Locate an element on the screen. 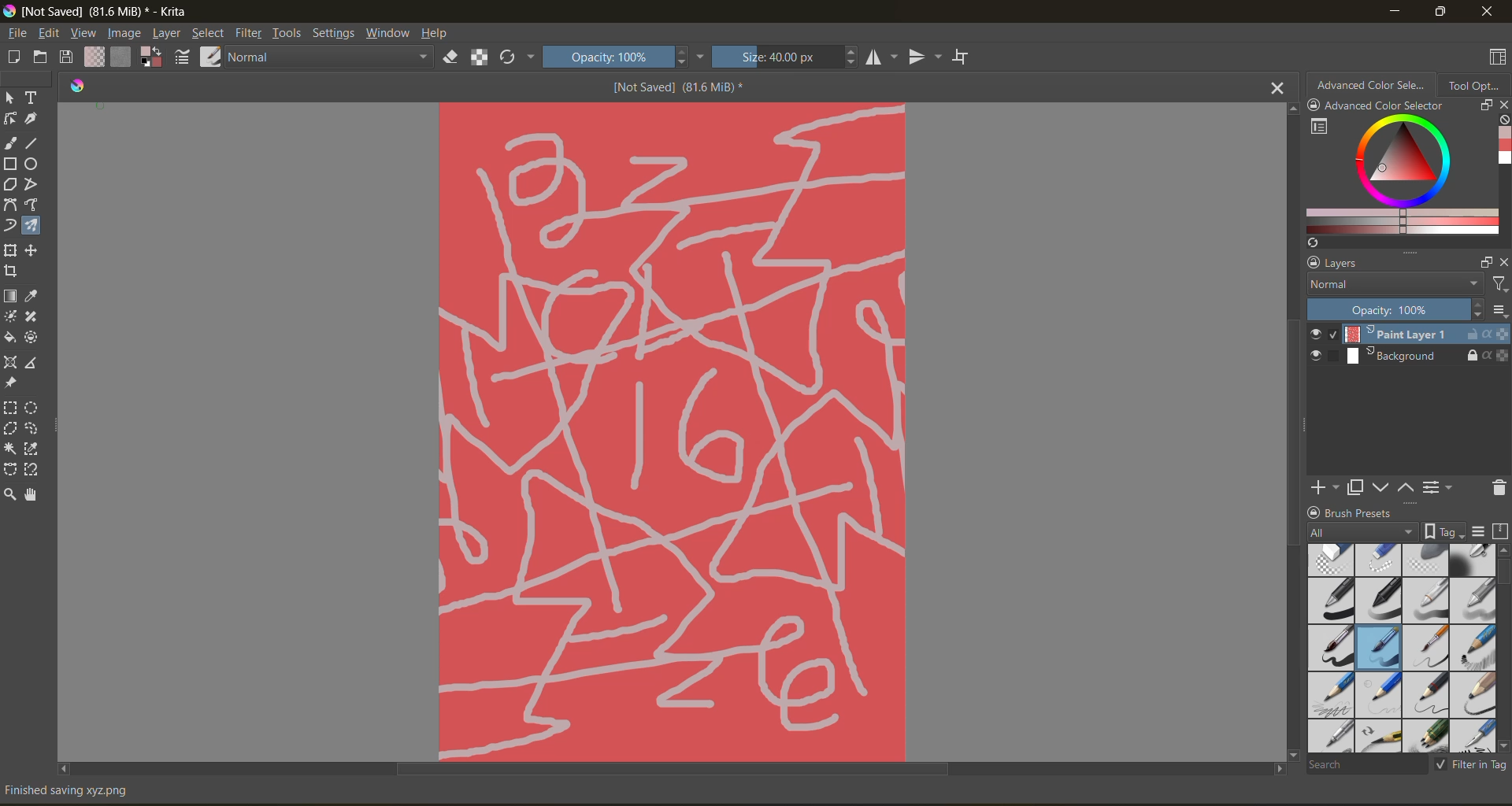 Image resolution: width=1512 pixels, height=806 pixels. float docker is located at coordinates (1484, 105).